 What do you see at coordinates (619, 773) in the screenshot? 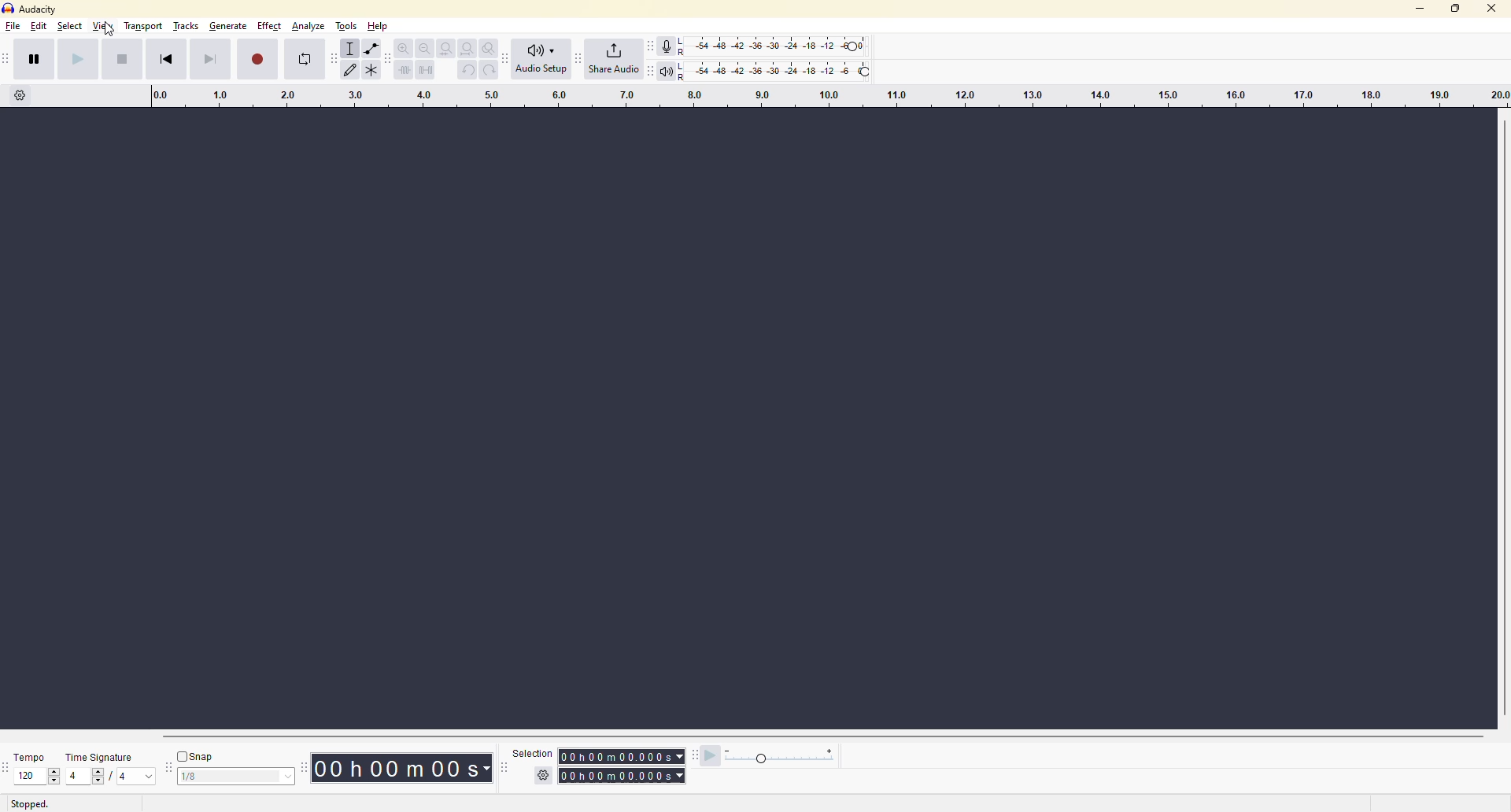
I see `selection` at bounding box center [619, 773].